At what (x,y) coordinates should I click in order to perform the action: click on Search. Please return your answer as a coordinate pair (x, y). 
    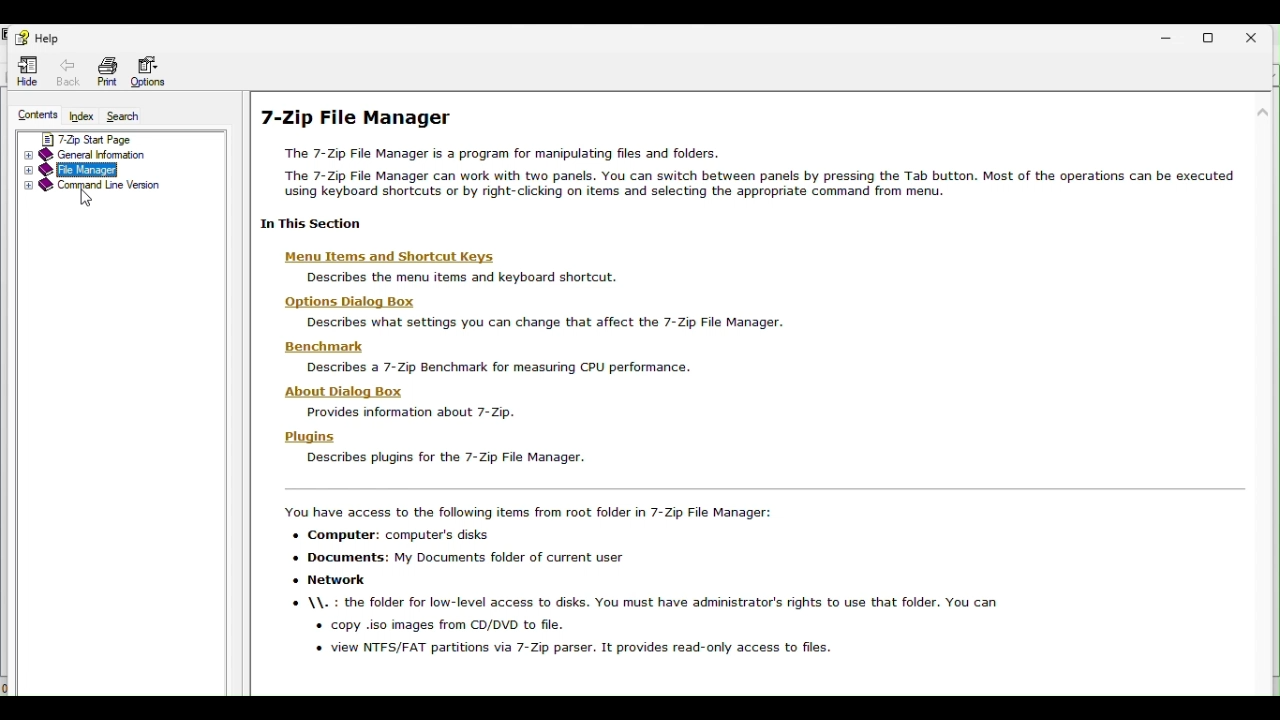
    Looking at the image, I should click on (127, 117).